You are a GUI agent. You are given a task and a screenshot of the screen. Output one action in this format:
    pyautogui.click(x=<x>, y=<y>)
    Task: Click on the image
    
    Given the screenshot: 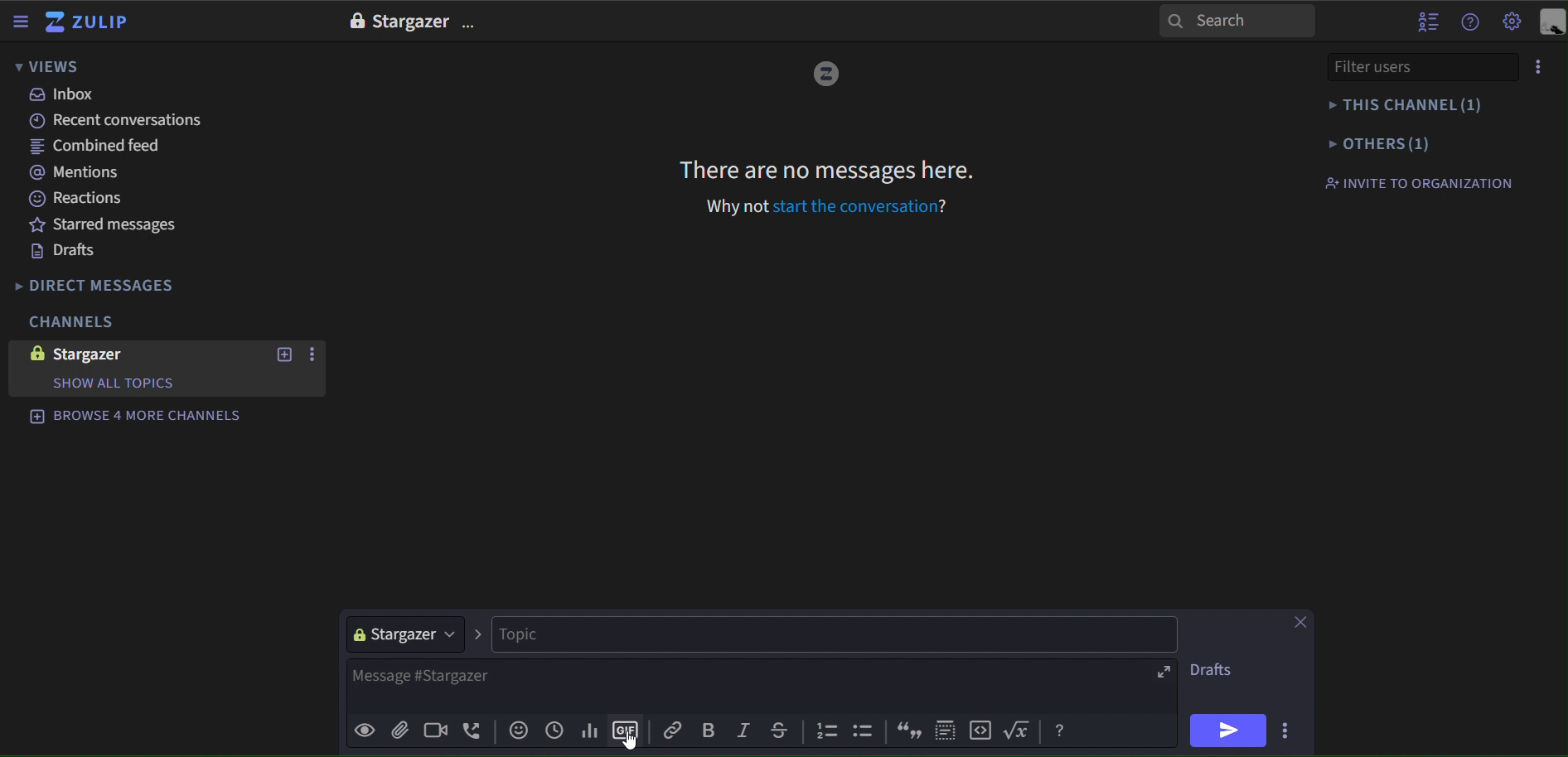 What is the action you would take?
    pyautogui.click(x=825, y=75)
    